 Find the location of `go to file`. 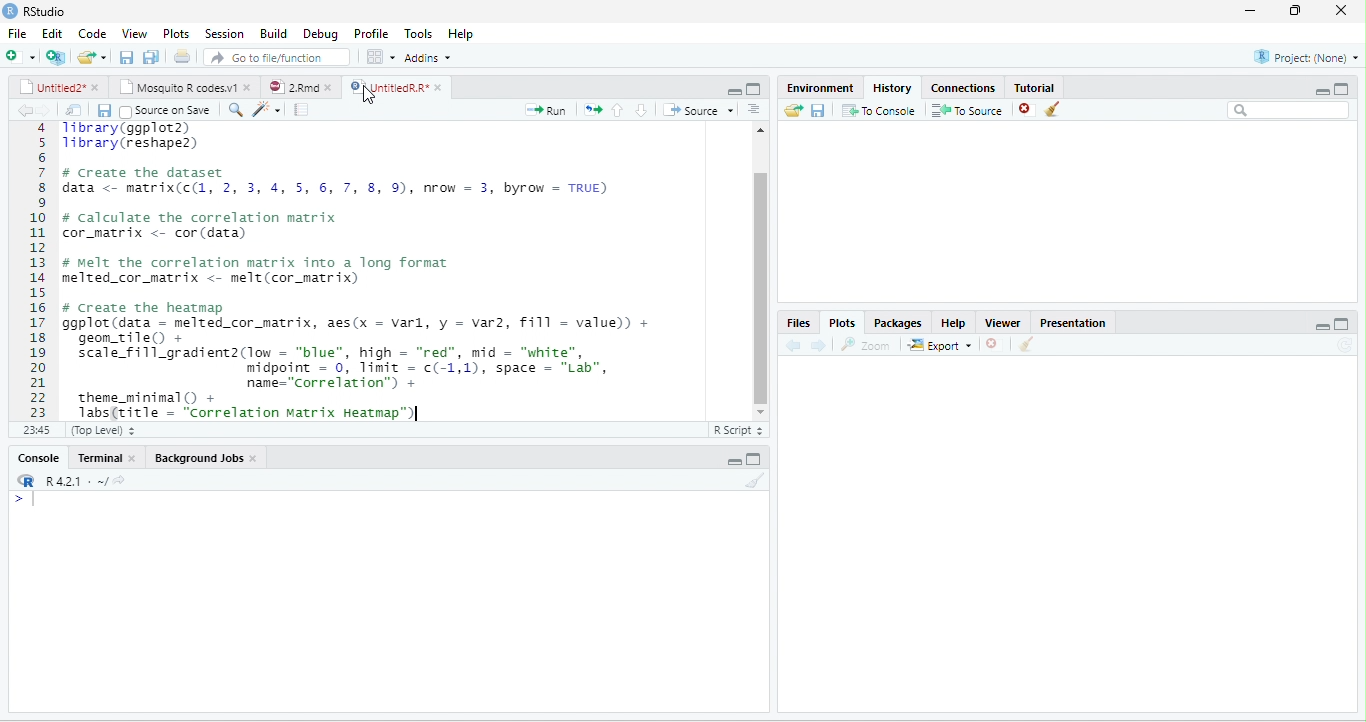

go to file is located at coordinates (278, 56).